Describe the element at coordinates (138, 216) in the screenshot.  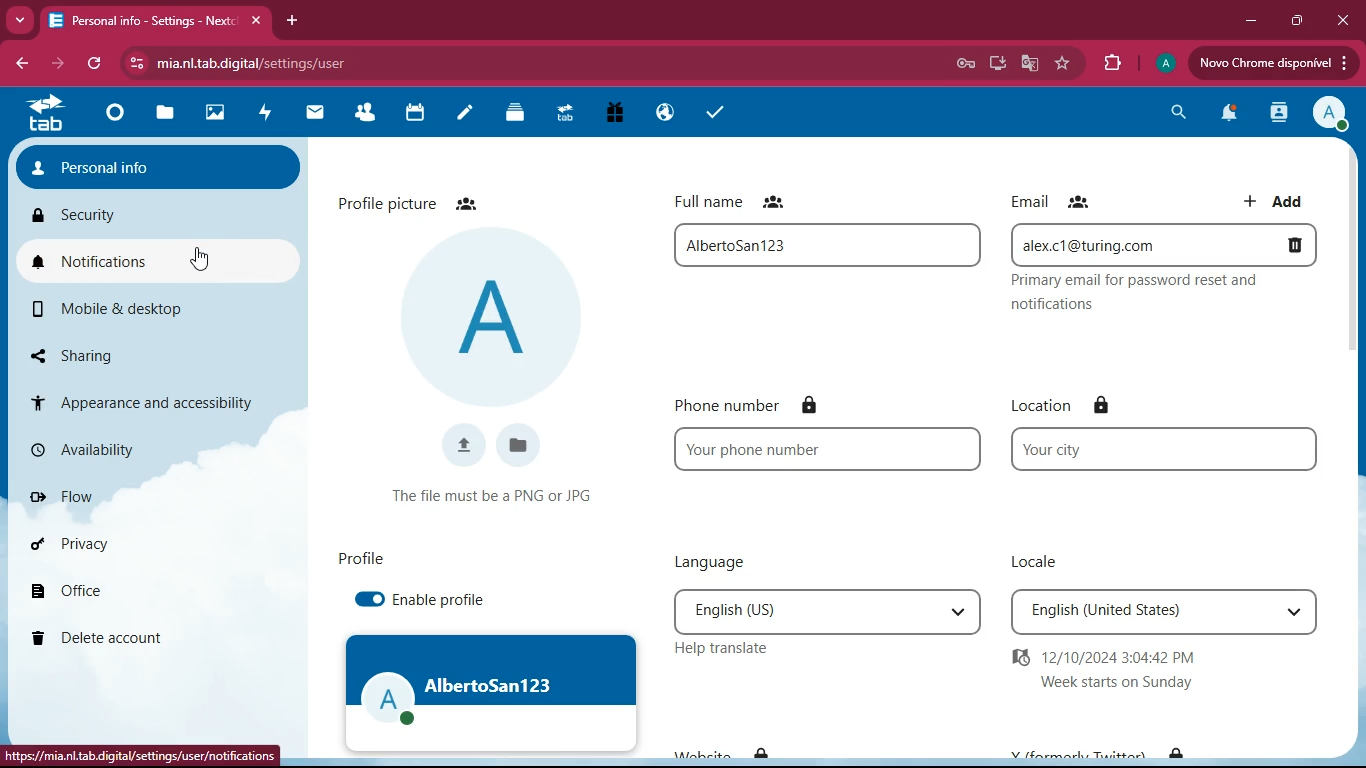
I see `security` at that location.